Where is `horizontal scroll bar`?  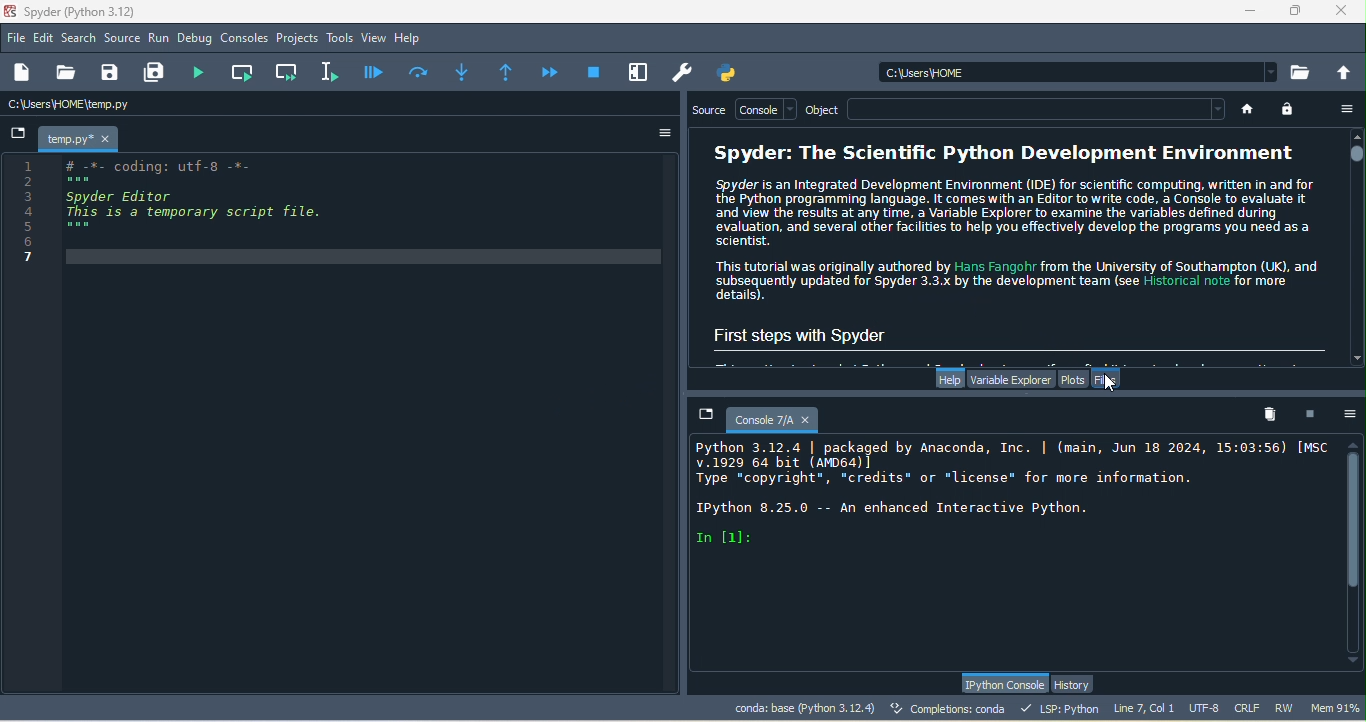
horizontal scroll bar is located at coordinates (1017, 353).